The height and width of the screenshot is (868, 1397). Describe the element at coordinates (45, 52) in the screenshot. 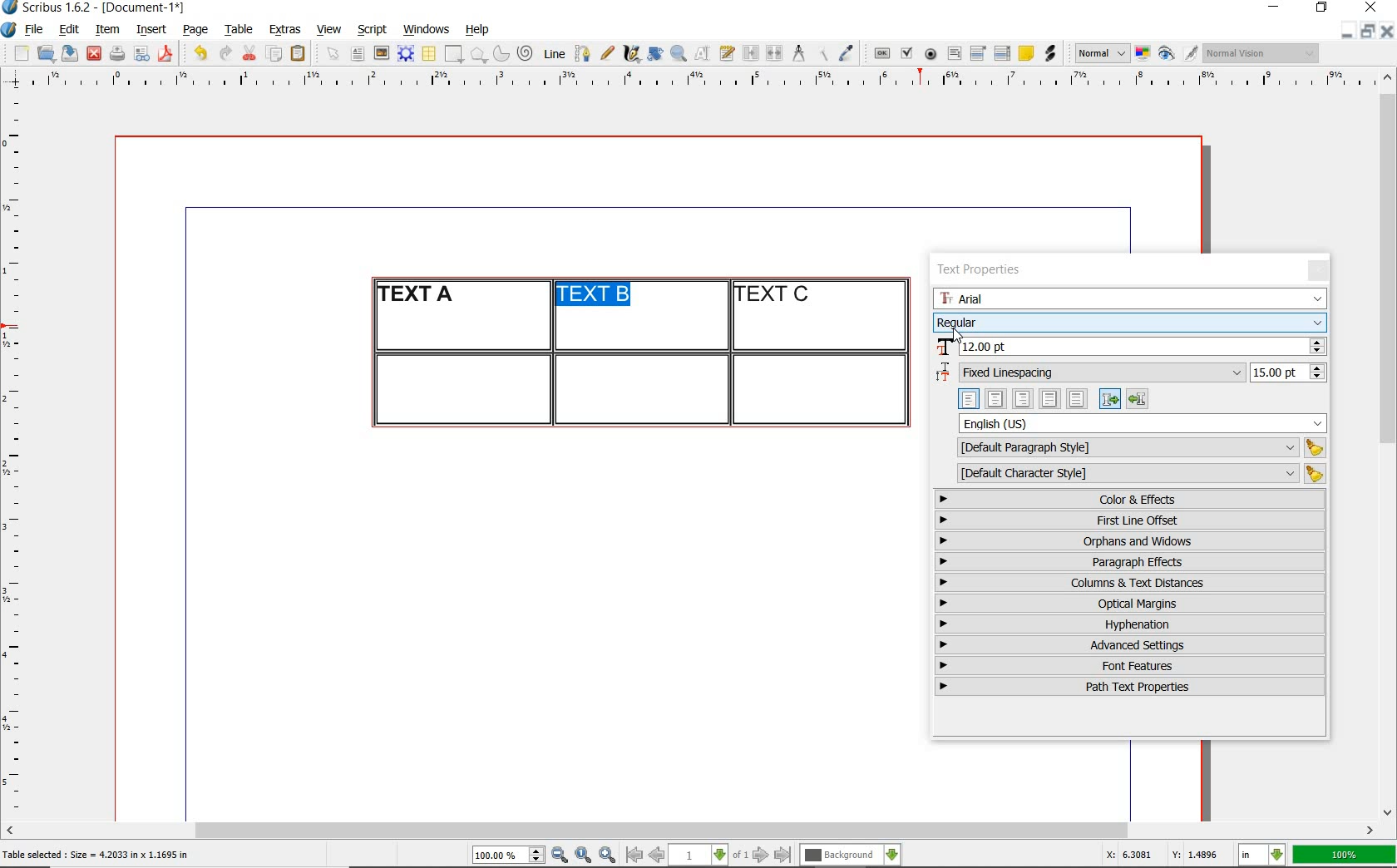

I see `open` at that location.